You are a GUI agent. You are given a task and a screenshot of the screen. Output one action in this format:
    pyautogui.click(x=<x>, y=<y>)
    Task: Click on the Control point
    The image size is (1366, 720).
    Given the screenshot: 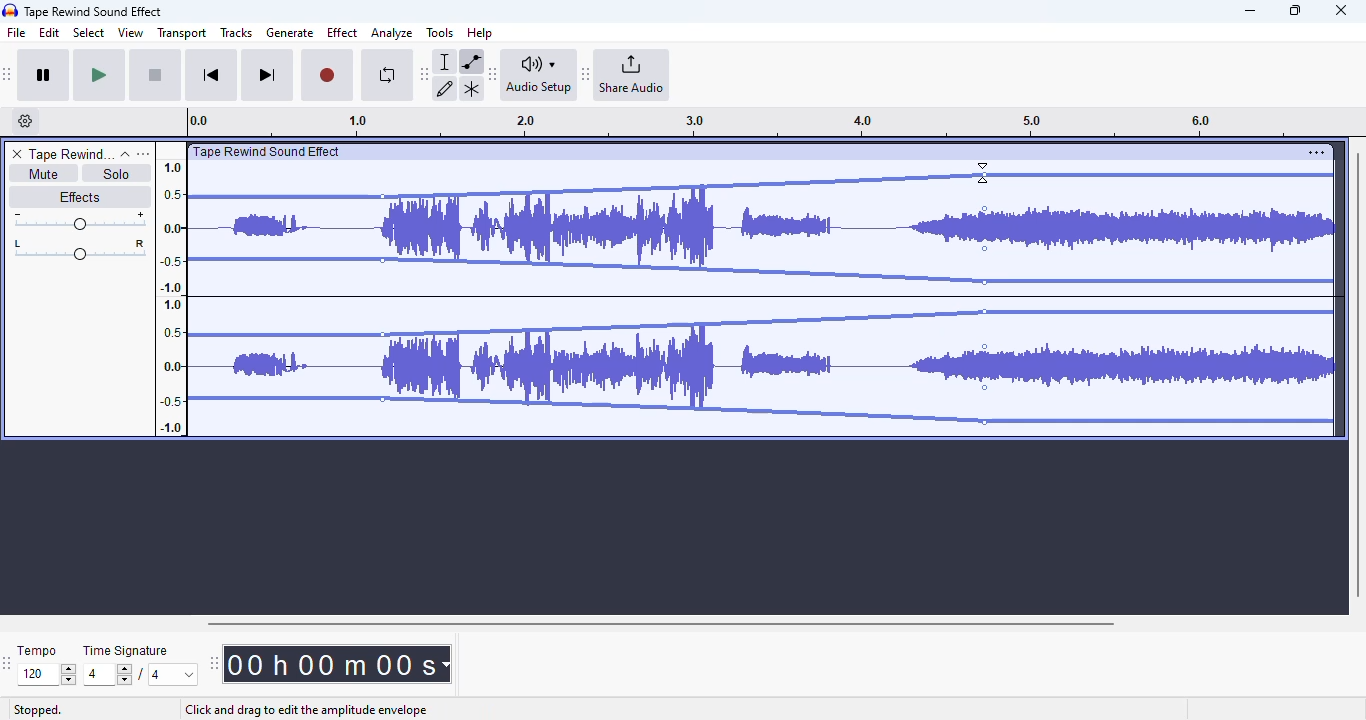 What is the action you would take?
    pyautogui.click(x=985, y=175)
    